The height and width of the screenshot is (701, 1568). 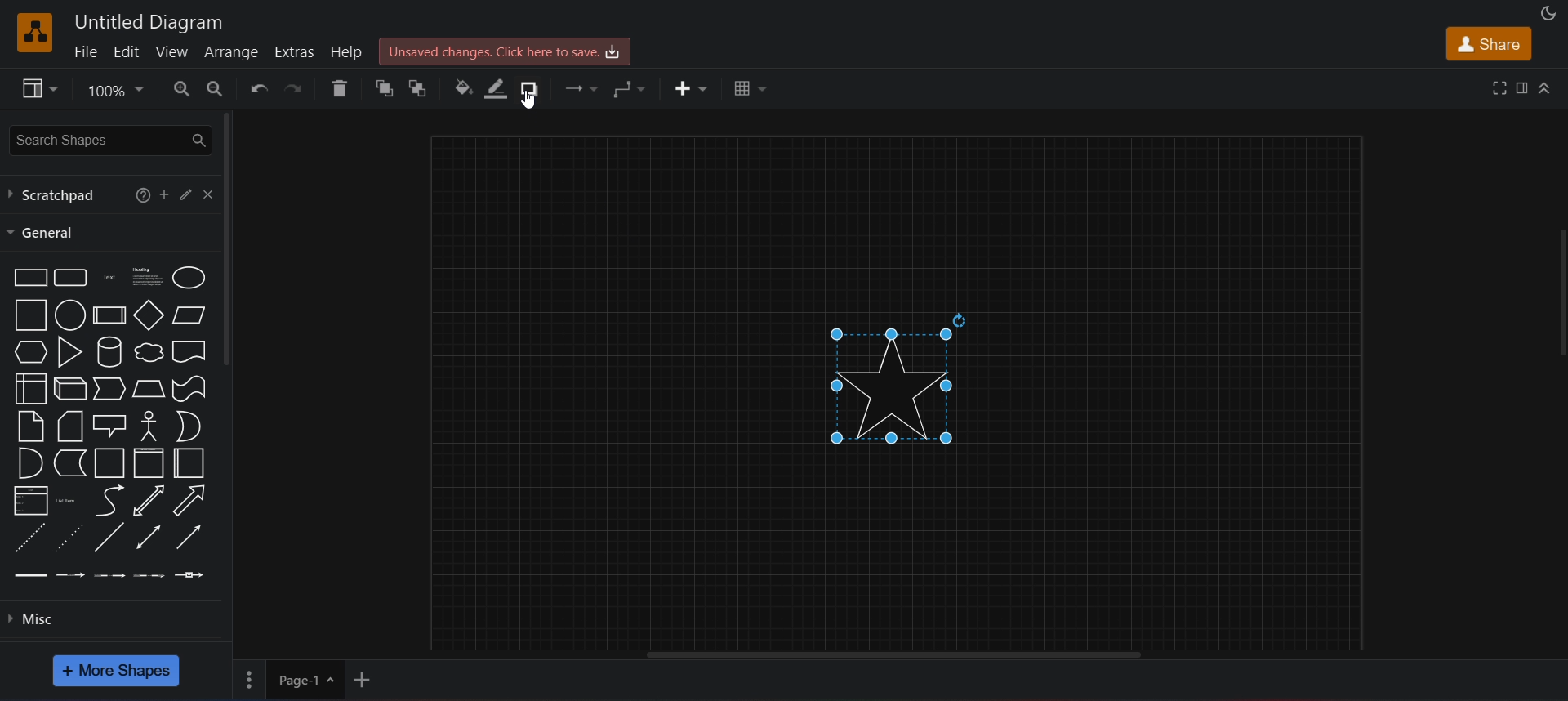 What do you see at coordinates (30, 387) in the screenshot?
I see `internal storage` at bounding box center [30, 387].